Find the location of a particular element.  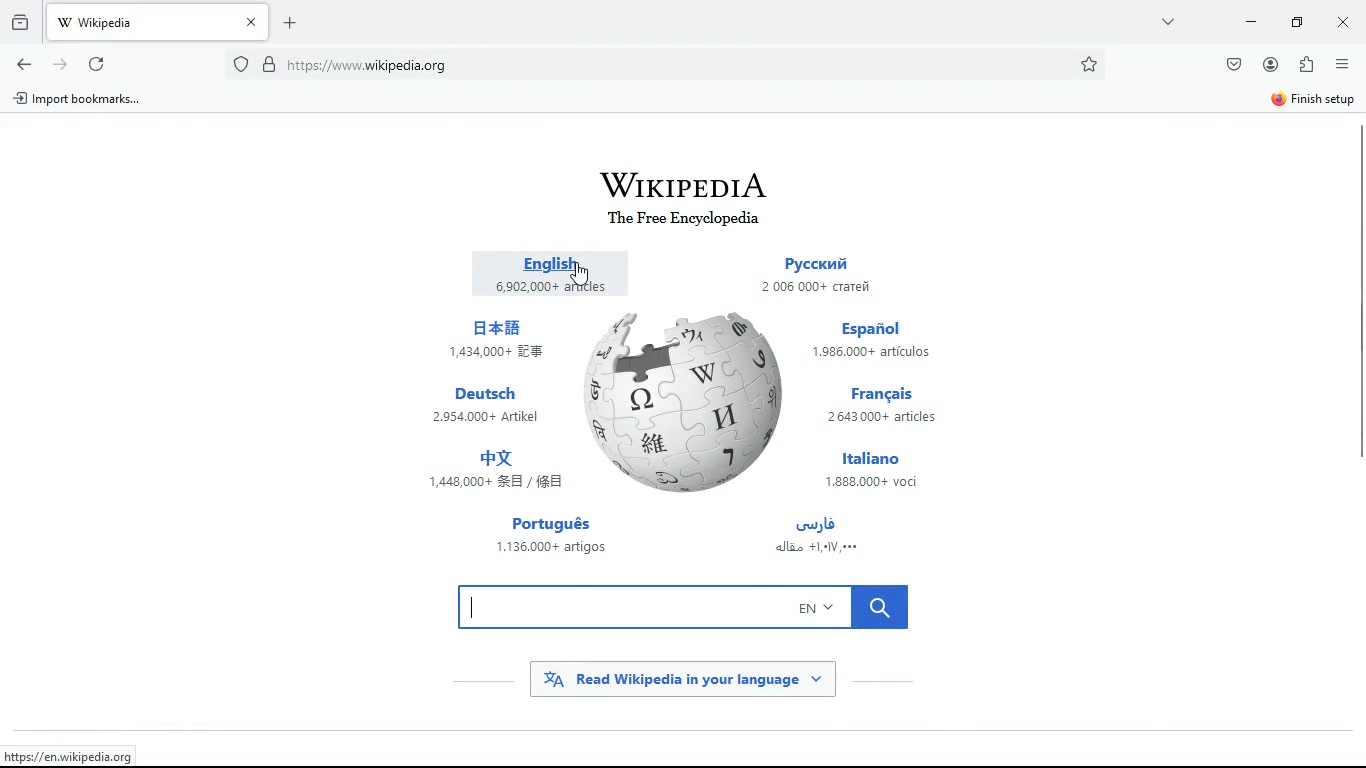

chinese is located at coordinates (499, 338).